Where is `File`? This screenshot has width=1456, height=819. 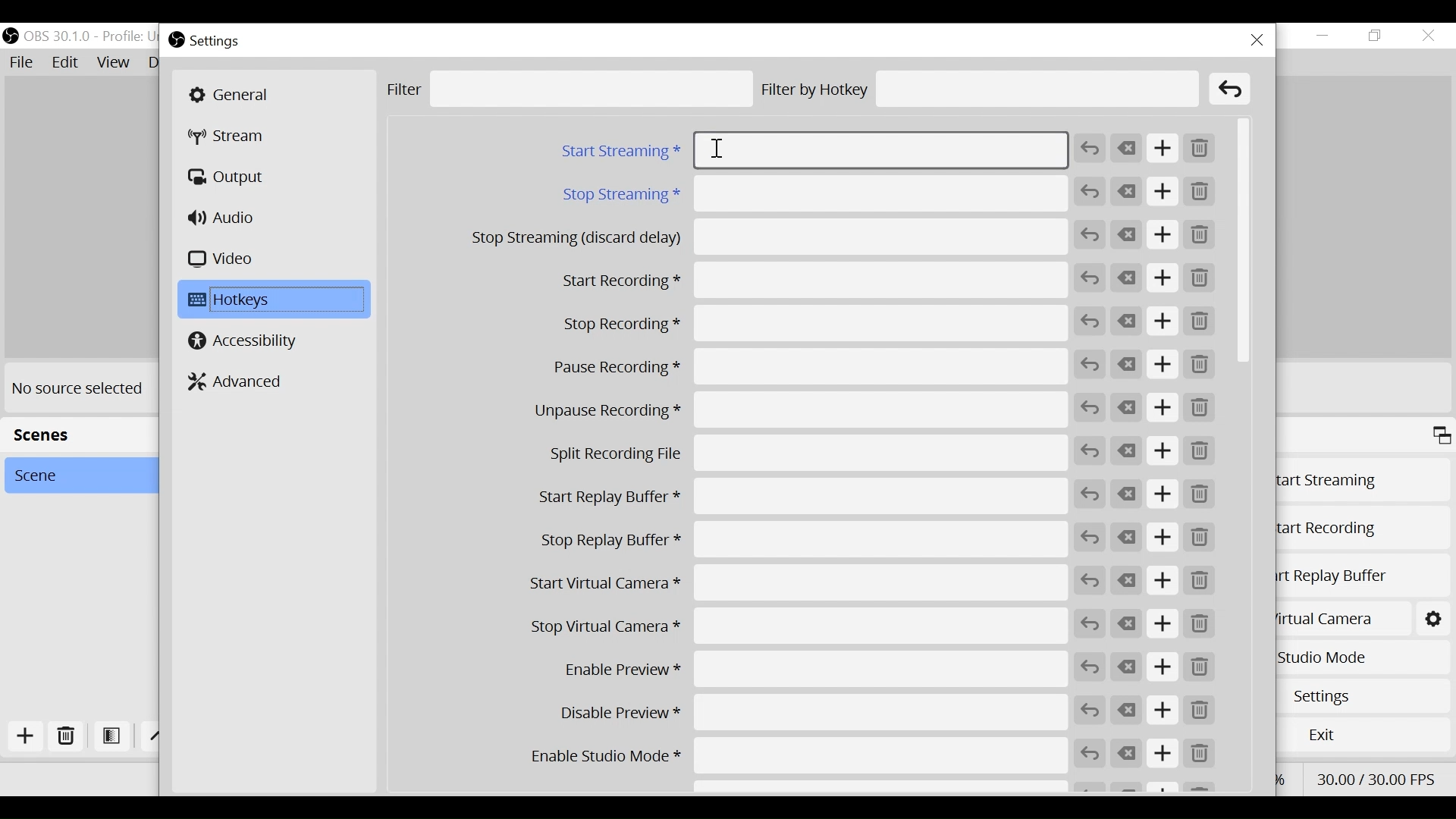
File is located at coordinates (24, 63).